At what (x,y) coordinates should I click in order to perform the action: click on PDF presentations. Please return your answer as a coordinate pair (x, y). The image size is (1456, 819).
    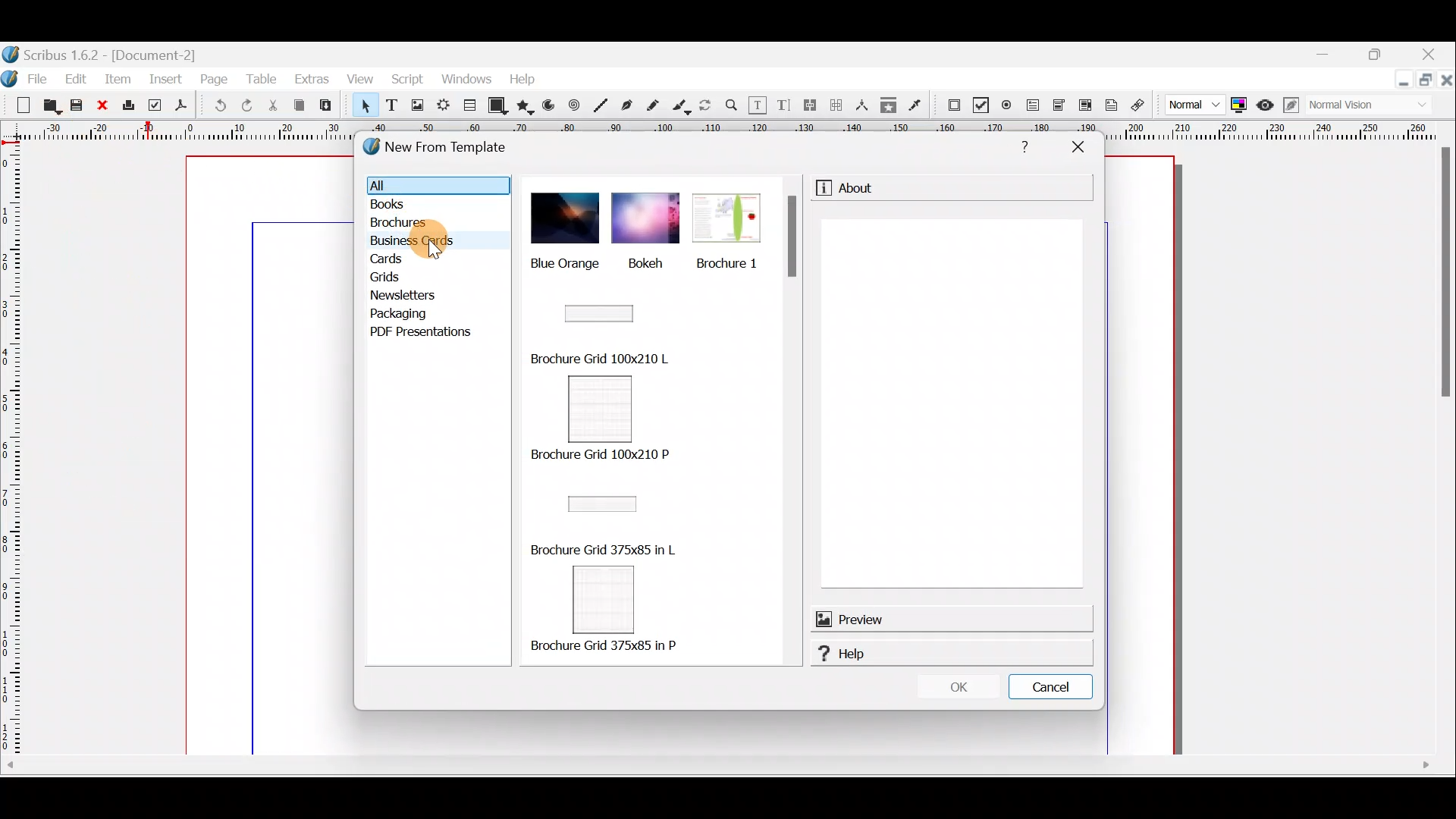
    Looking at the image, I should click on (433, 334).